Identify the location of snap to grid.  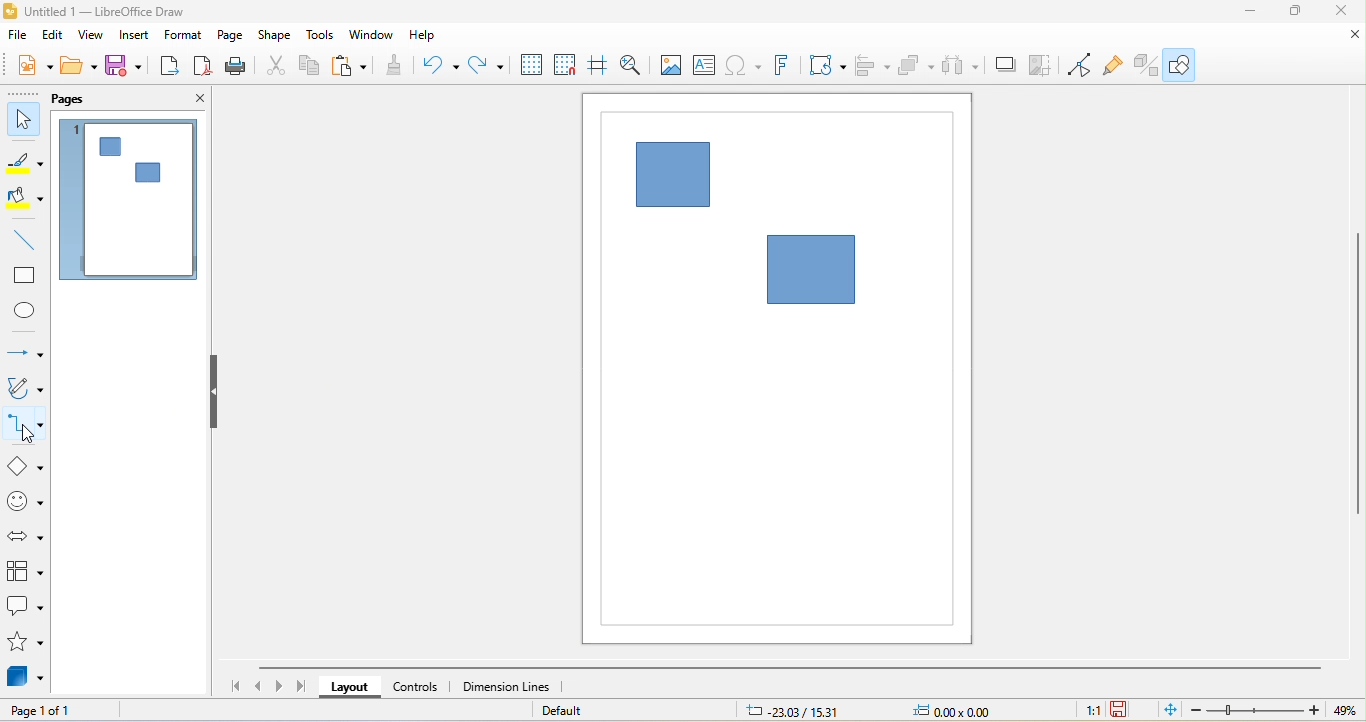
(570, 65).